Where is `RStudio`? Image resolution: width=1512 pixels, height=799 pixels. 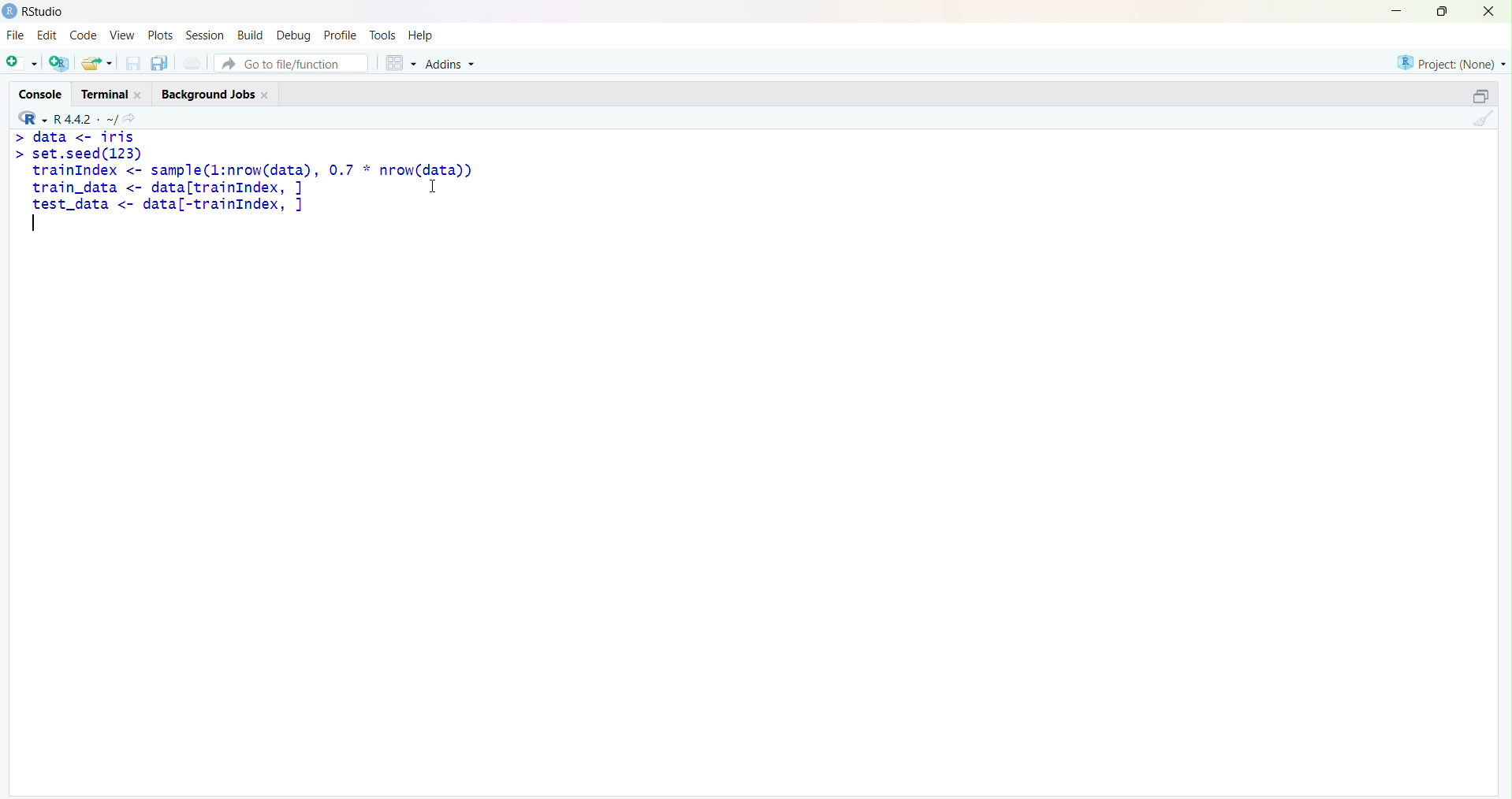 RStudio is located at coordinates (37, 11).